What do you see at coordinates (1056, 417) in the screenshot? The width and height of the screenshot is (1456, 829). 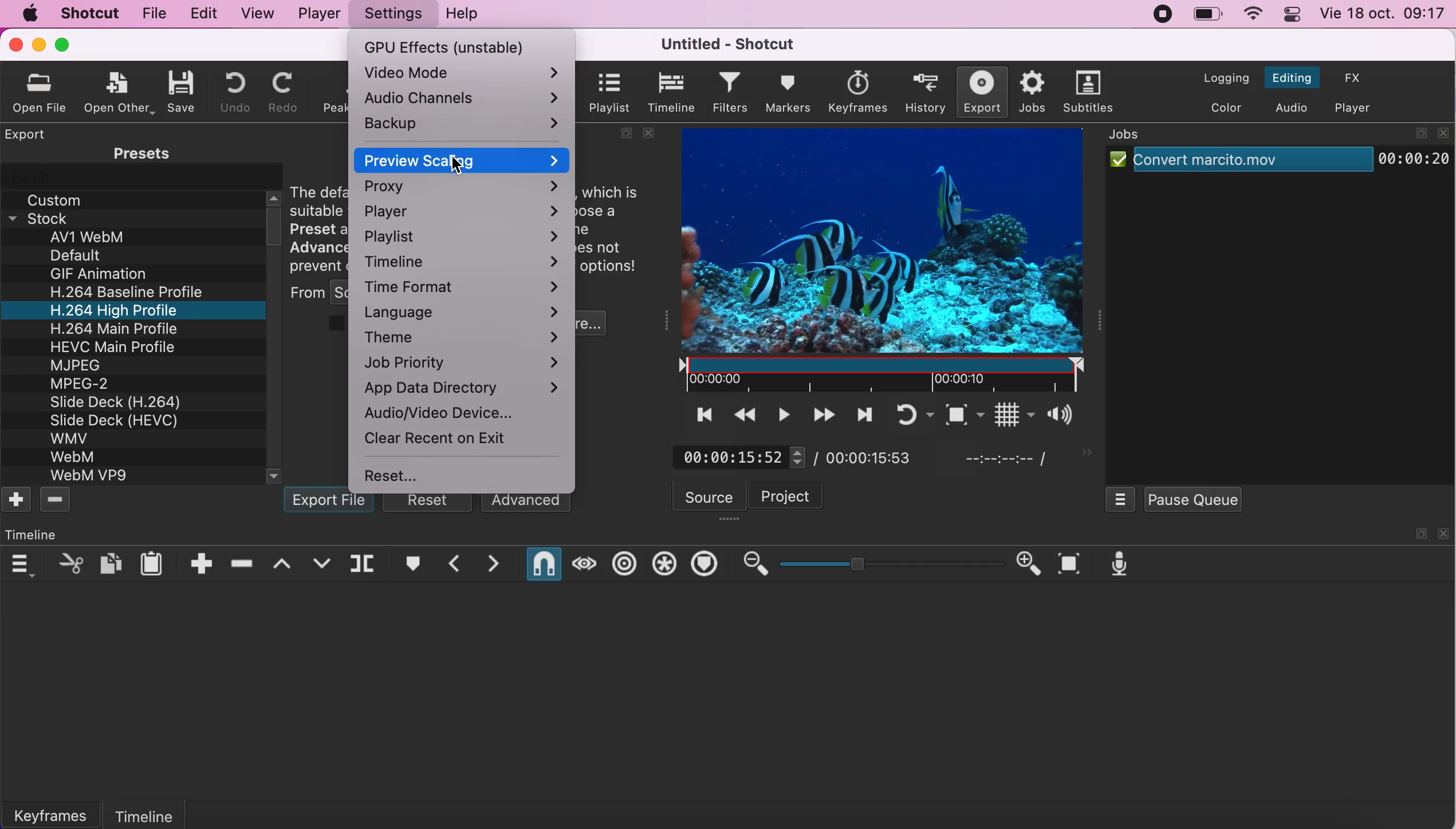 I see `show the volume control` at bounding box center [1056, 417].